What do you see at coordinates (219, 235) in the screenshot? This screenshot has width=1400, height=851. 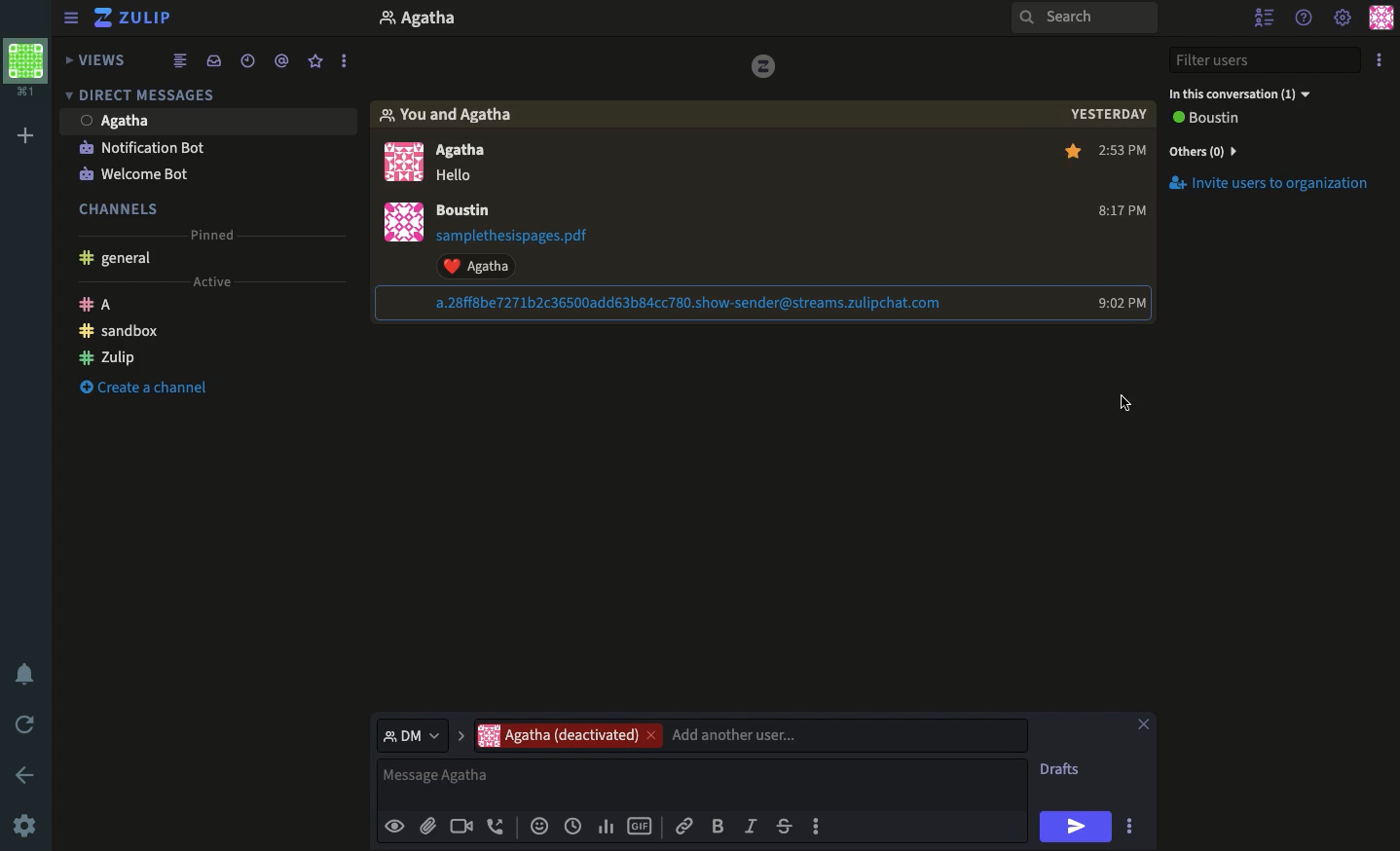 I see `Pinned` at bounding box center [219, 235].